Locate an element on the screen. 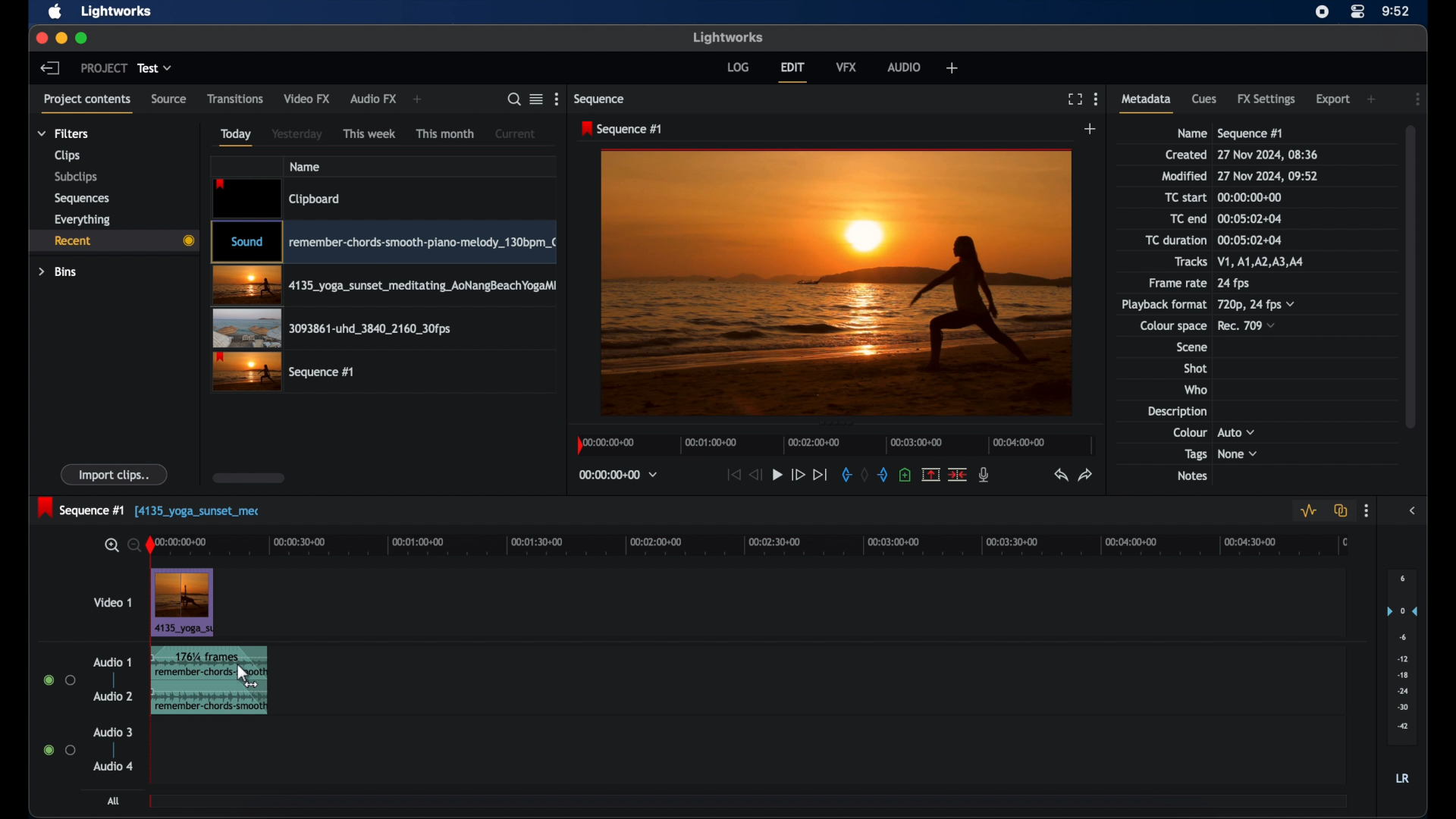  scene is located at coordinates (1191, 347).